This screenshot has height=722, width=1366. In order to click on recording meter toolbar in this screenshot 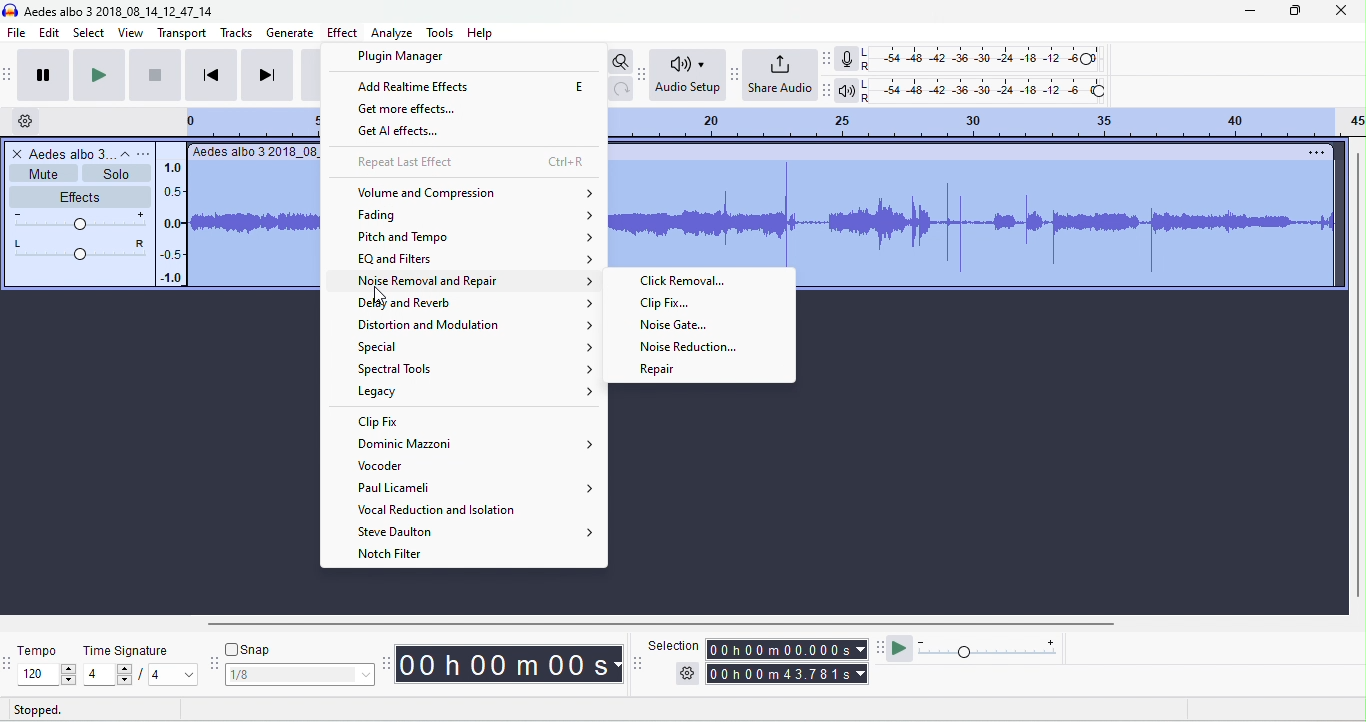, I will do `click(828, 58)`.